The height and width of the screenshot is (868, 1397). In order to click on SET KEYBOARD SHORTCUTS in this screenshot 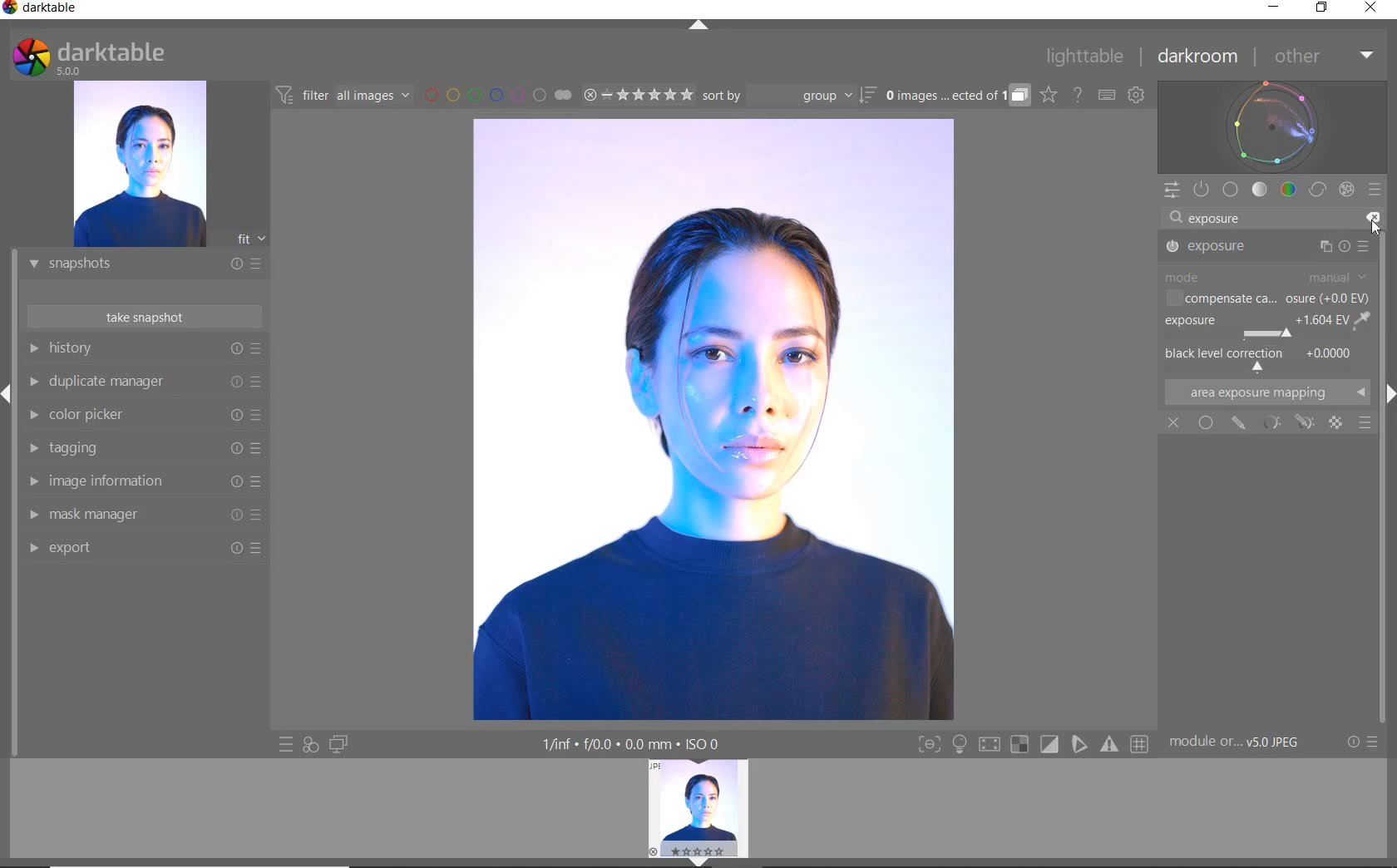, I will do `click(1107, 95)`.